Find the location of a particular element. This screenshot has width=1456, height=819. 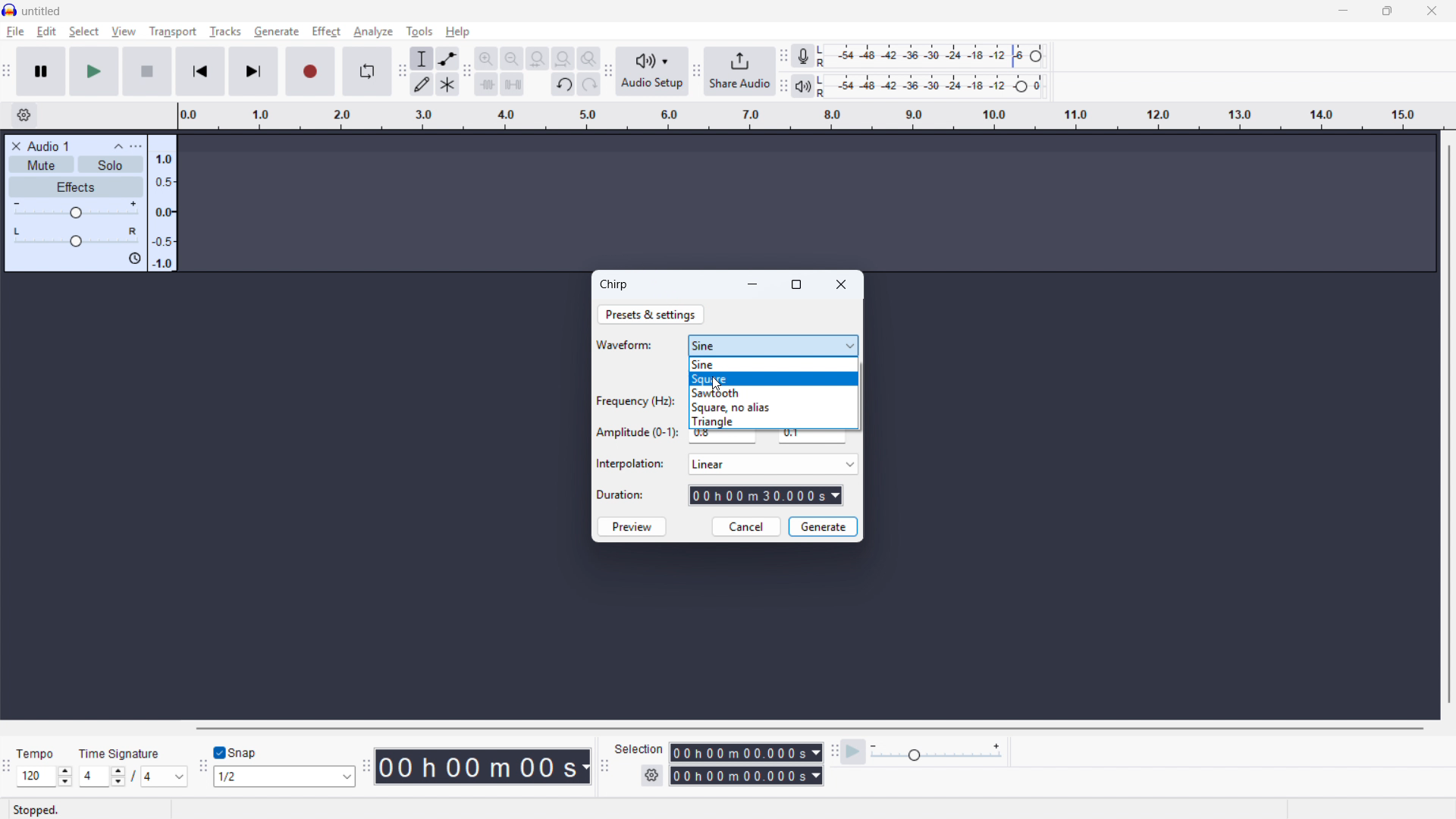

Effects  is located at coordinates (76, 187).